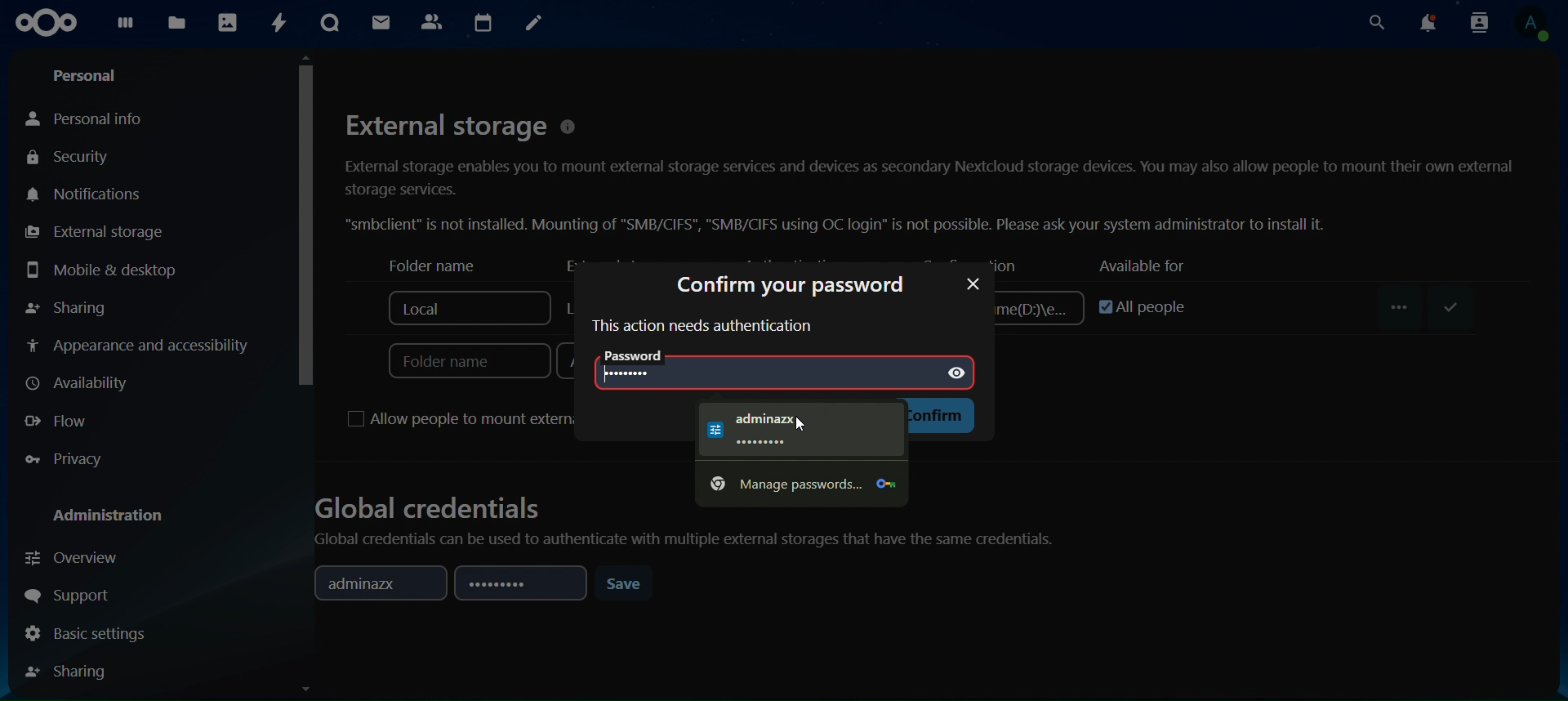 This screenshot has height=701, width=1568. Describe the element at coordinates (229, 23) in the screenshot. I see `photos` at that location.